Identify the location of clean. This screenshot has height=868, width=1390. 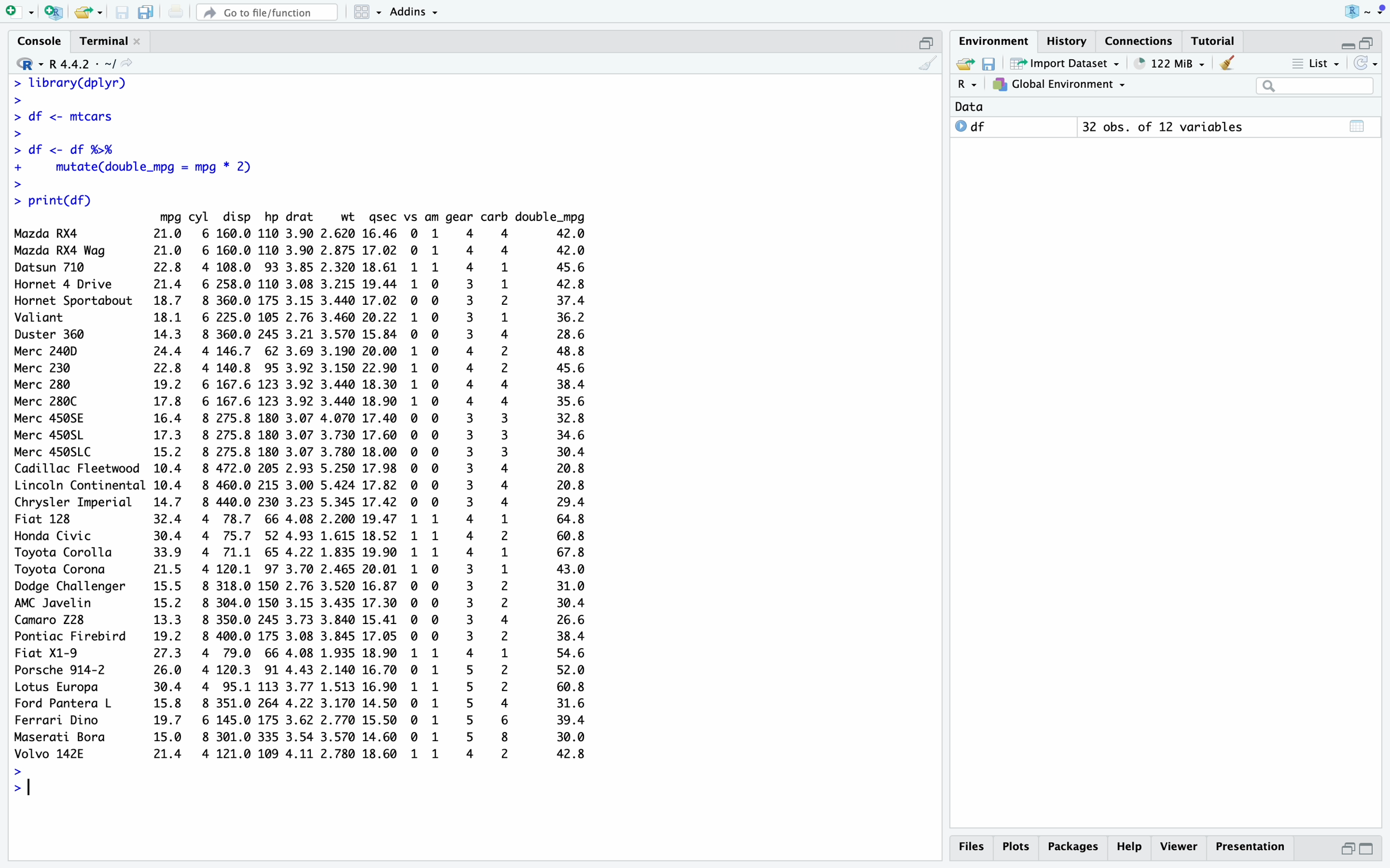
(928, 63).